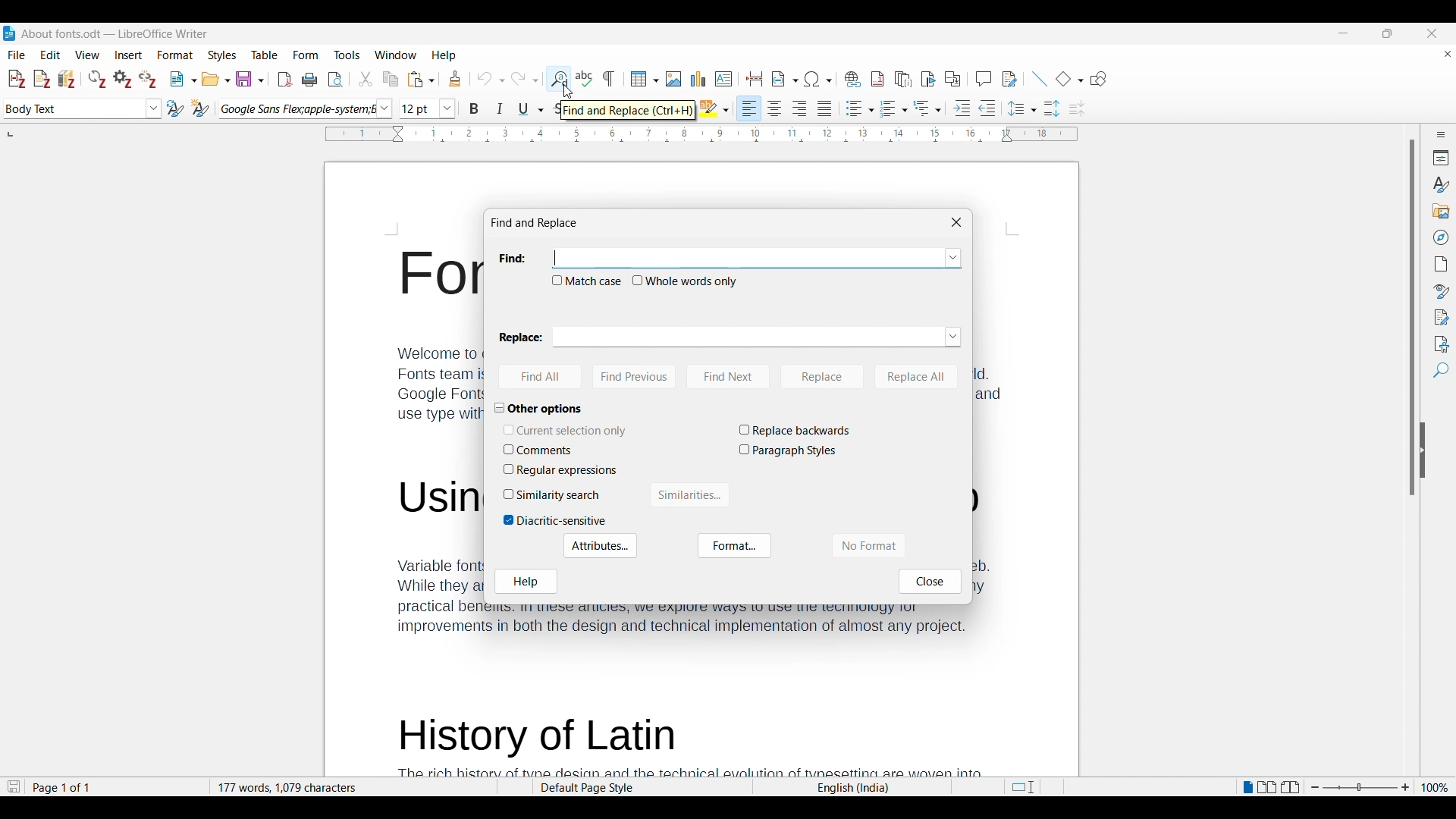  What do you see at coordinates (265, 55) in the screenshot?
I see `Table menu` at bounding box center [265, 55].